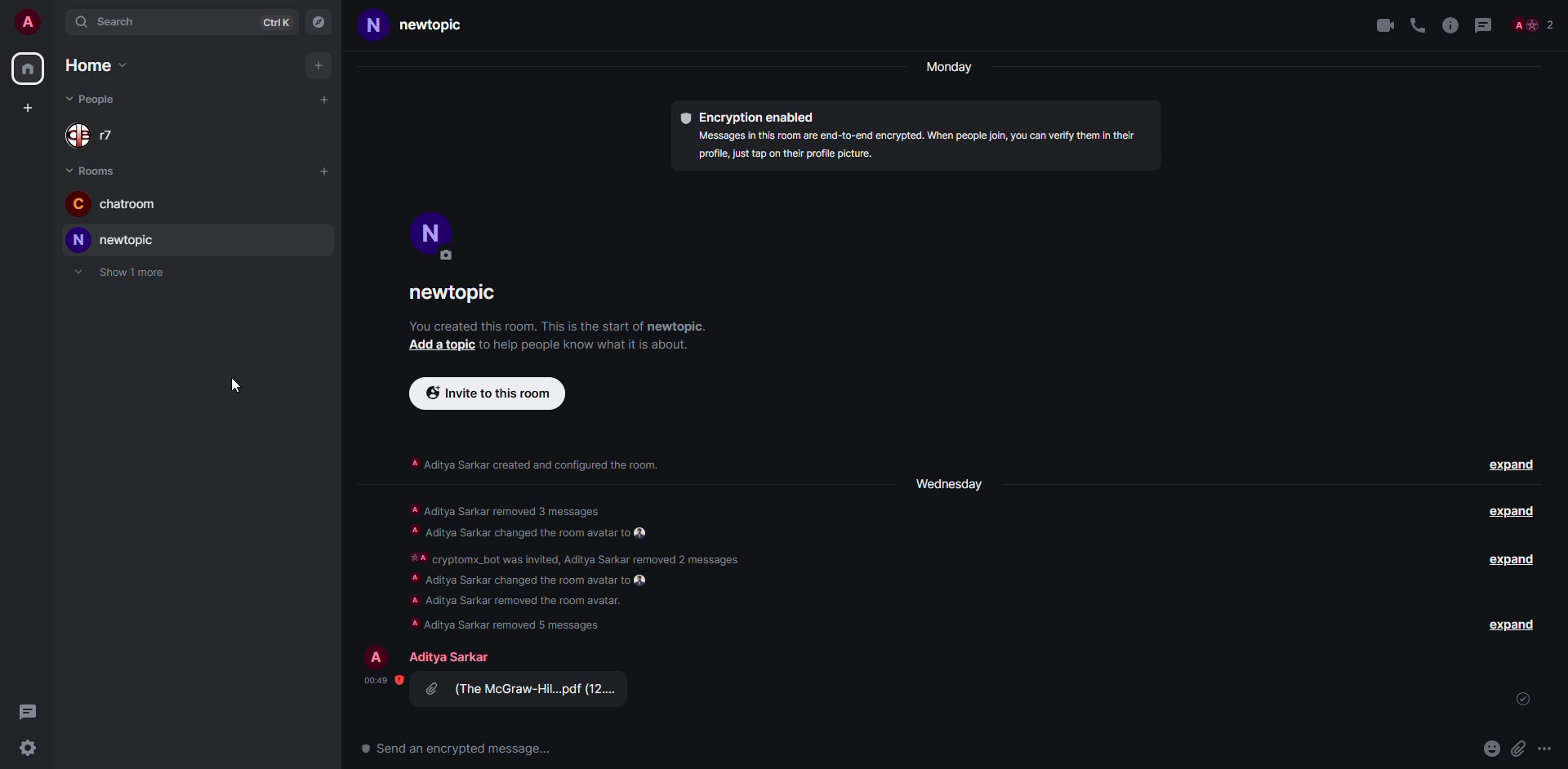  What do you see at coordinates (29, 749) in the screenshot?
I see `settings` at bounding box center [29, 749].